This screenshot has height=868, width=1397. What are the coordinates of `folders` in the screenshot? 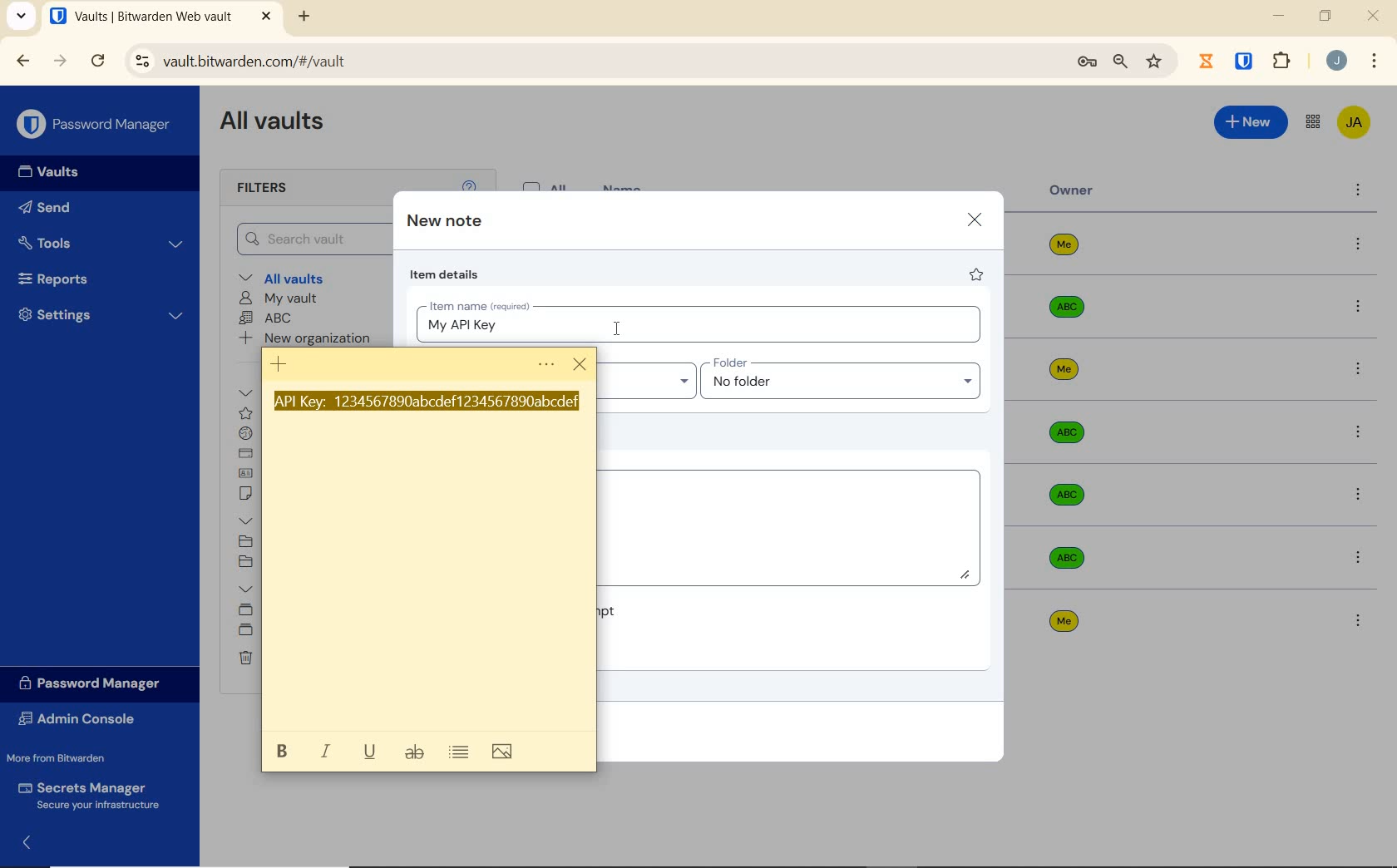 It's located at (246, 521).